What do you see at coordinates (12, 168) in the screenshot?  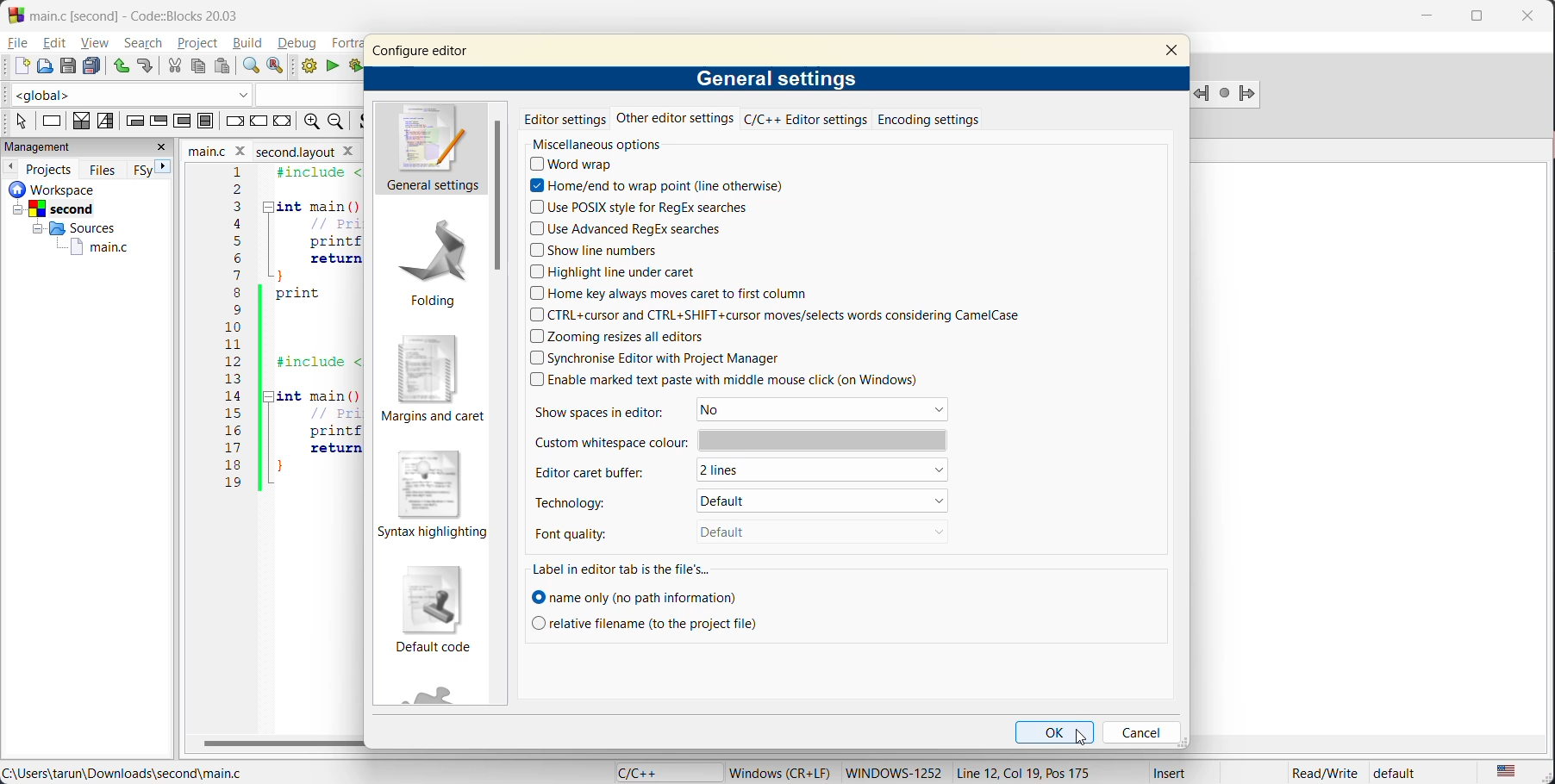 I see `previous` at bounding box center [12, 168].